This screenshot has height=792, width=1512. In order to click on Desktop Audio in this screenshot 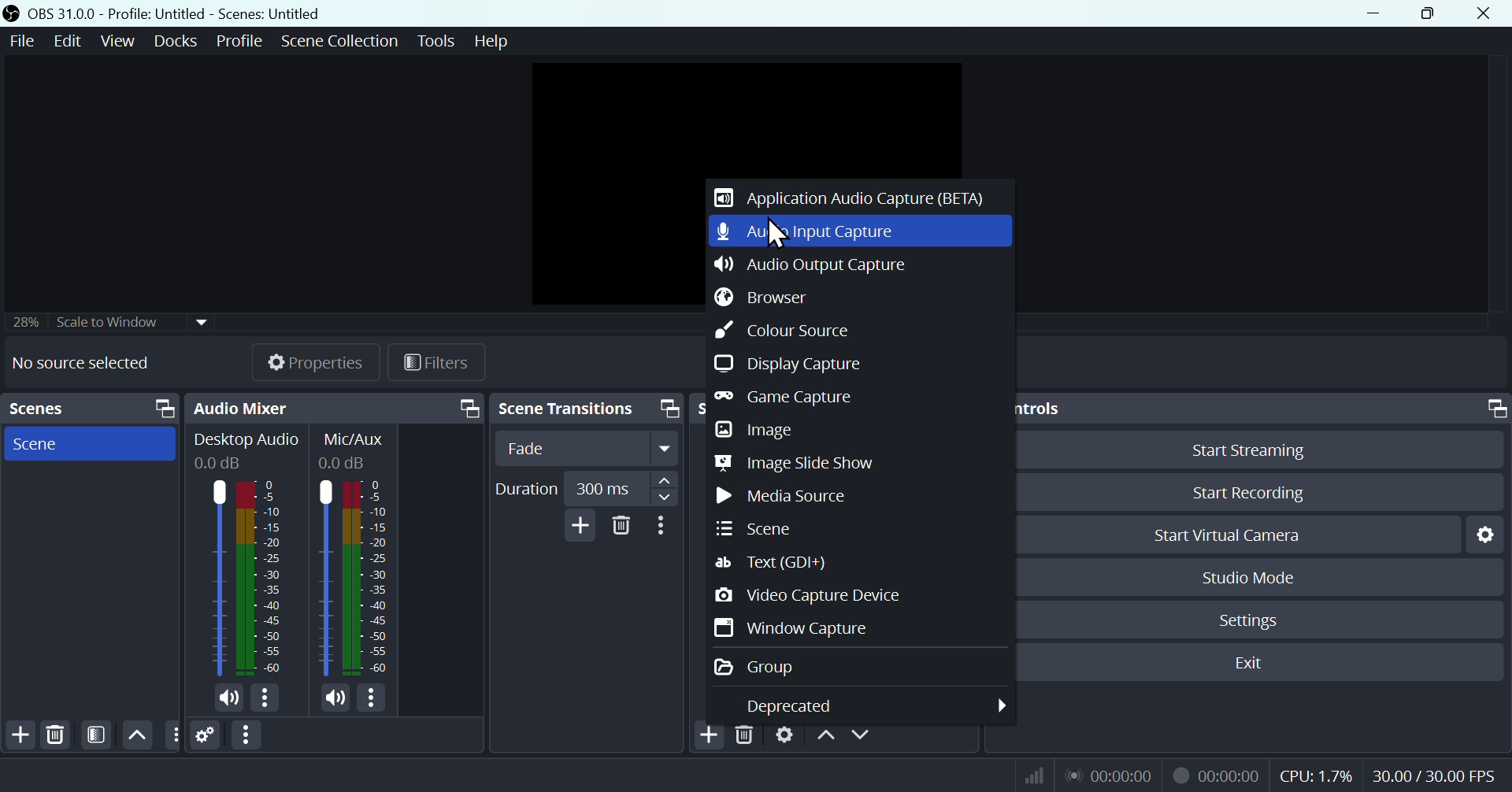, I will do `click(246, 441)`.